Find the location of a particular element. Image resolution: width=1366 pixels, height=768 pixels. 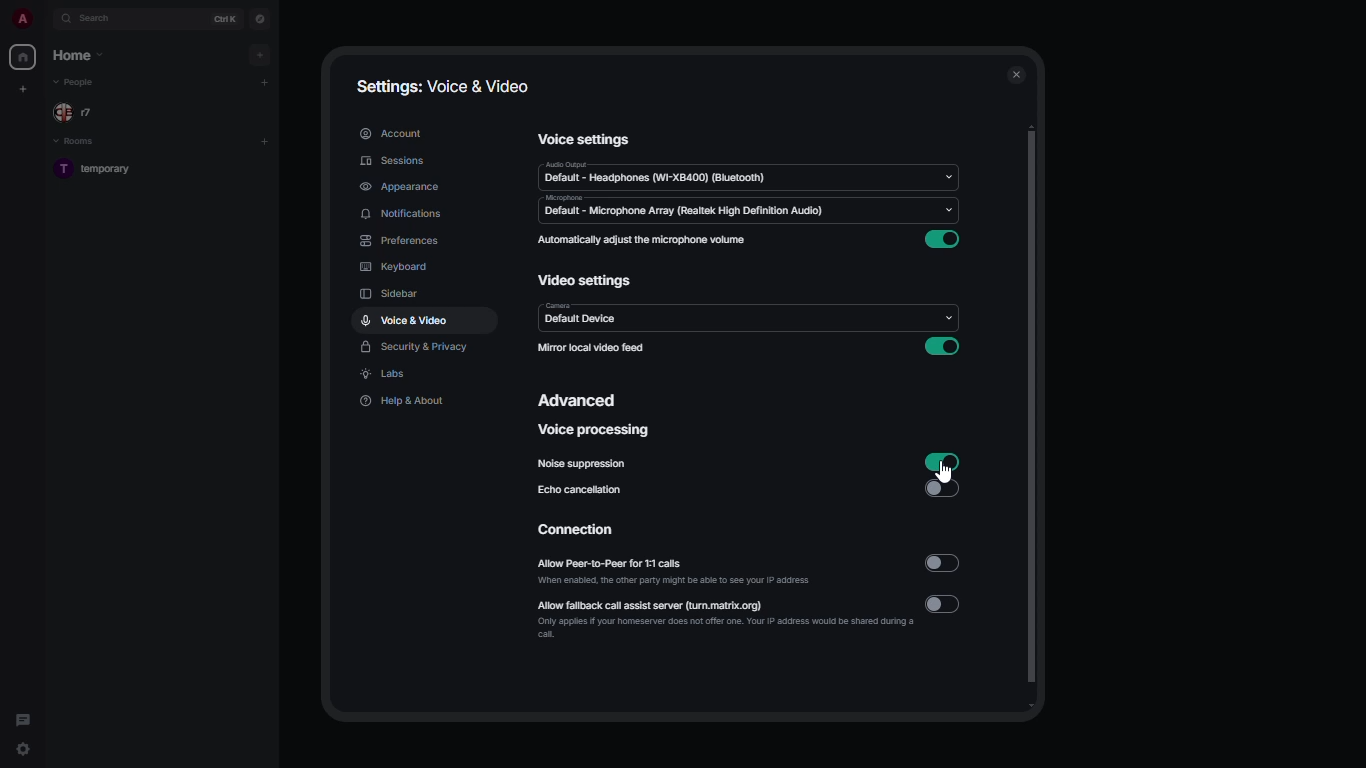

people is located at coordinates (78, 111).